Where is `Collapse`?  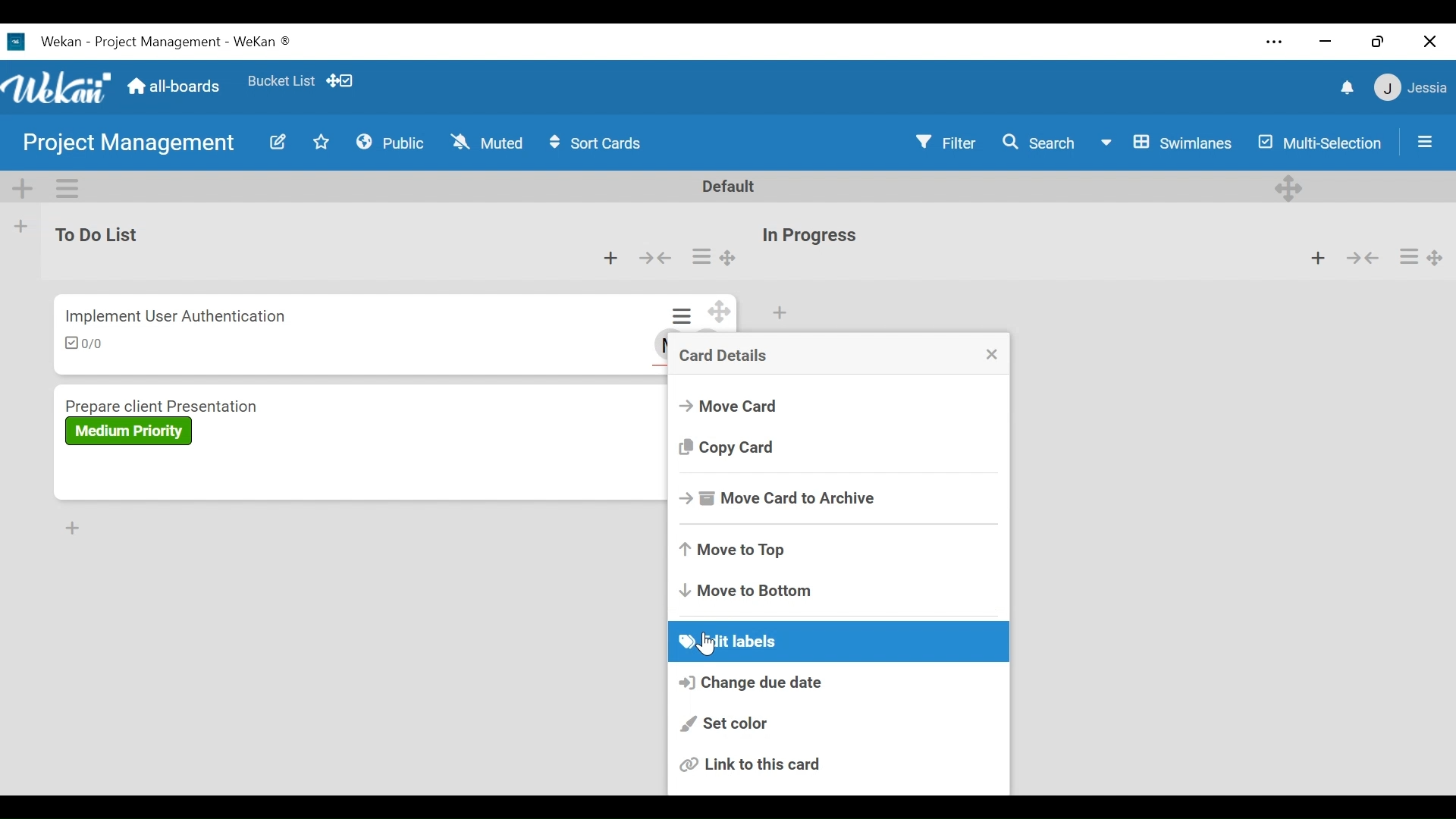 Collapse is located at coordinates (1361, 257).